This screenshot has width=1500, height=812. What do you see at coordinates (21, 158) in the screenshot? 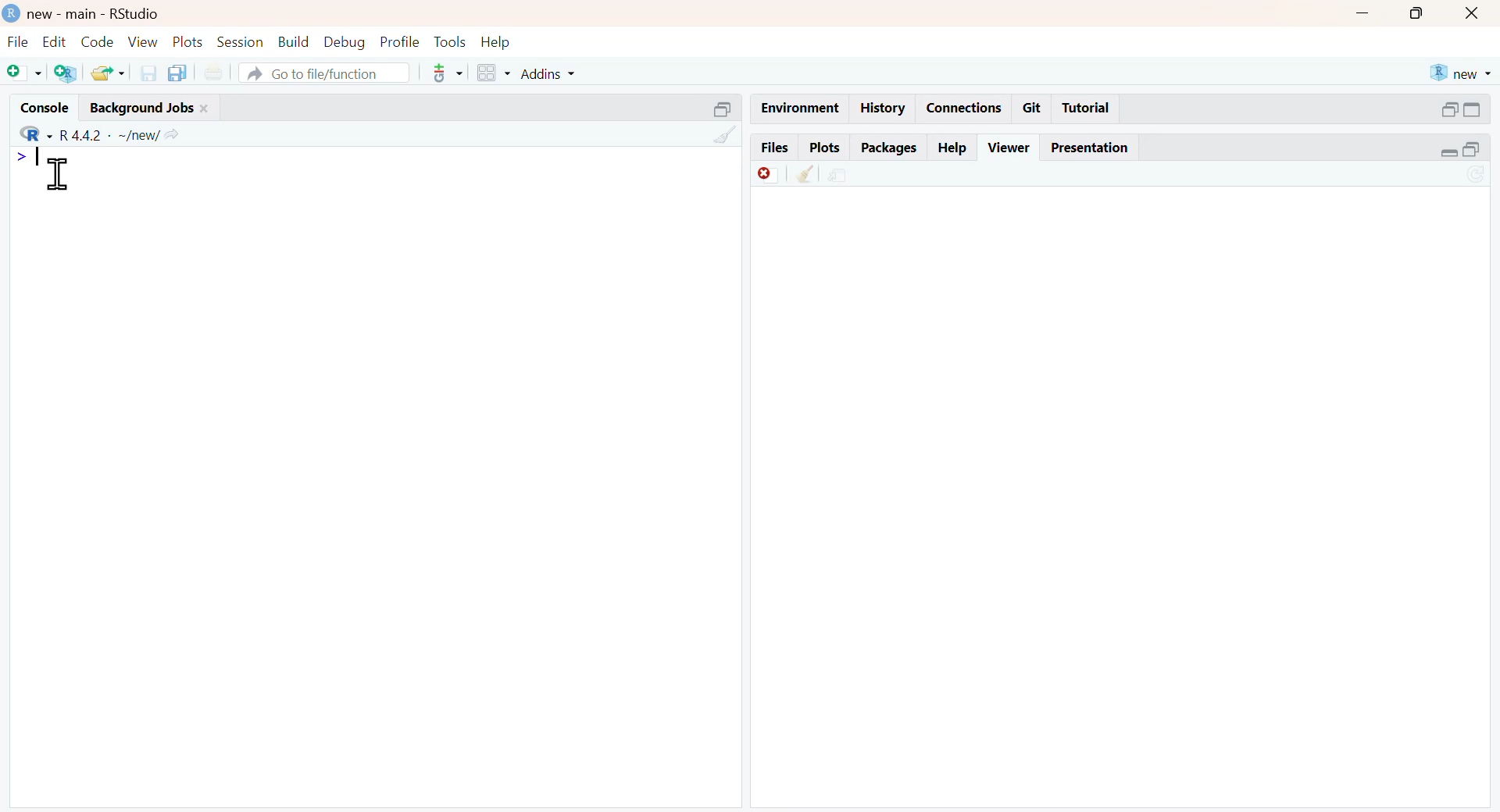
I see `>` at bounding box center [21, 158].